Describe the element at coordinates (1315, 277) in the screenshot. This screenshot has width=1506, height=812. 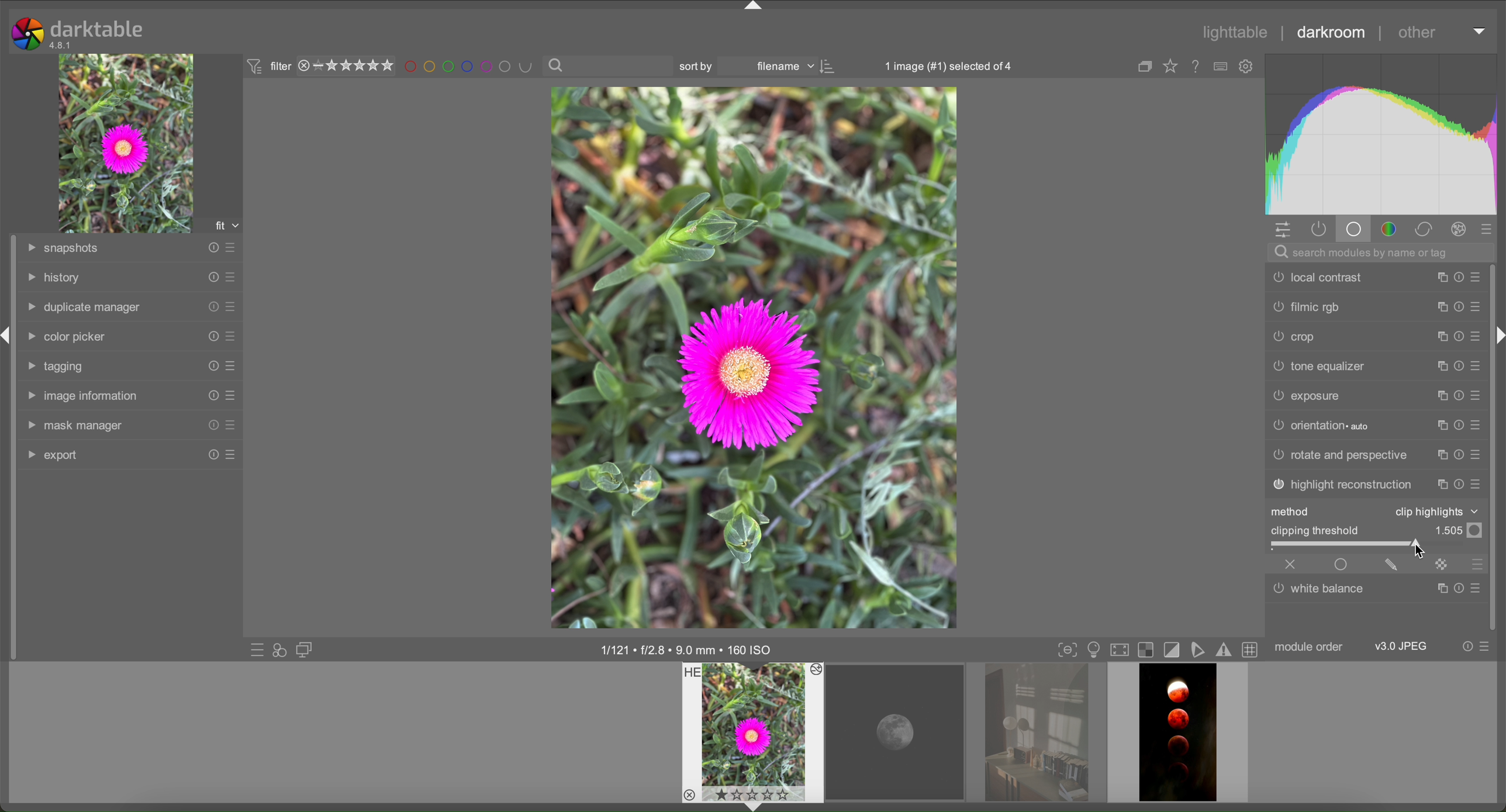
I see `local contrast` at that location.